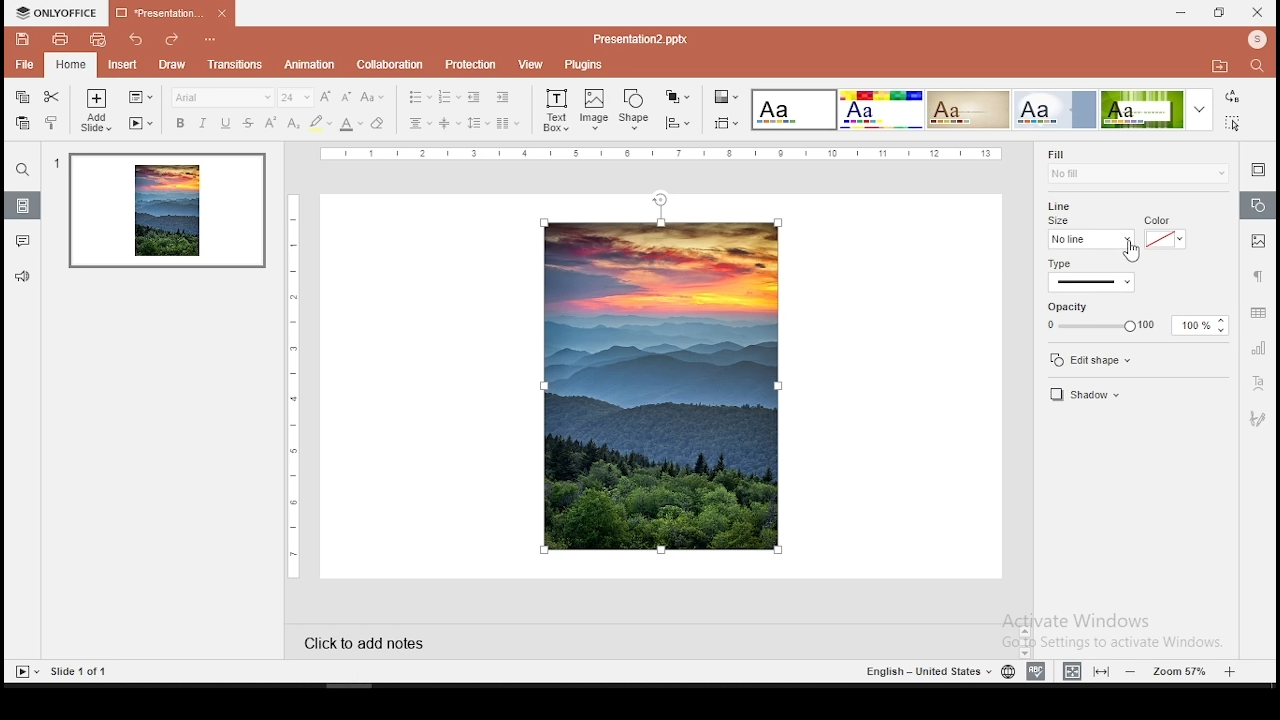 This screenshot has height=720, width=1280. I want to click on line color, so click(1166, 232).